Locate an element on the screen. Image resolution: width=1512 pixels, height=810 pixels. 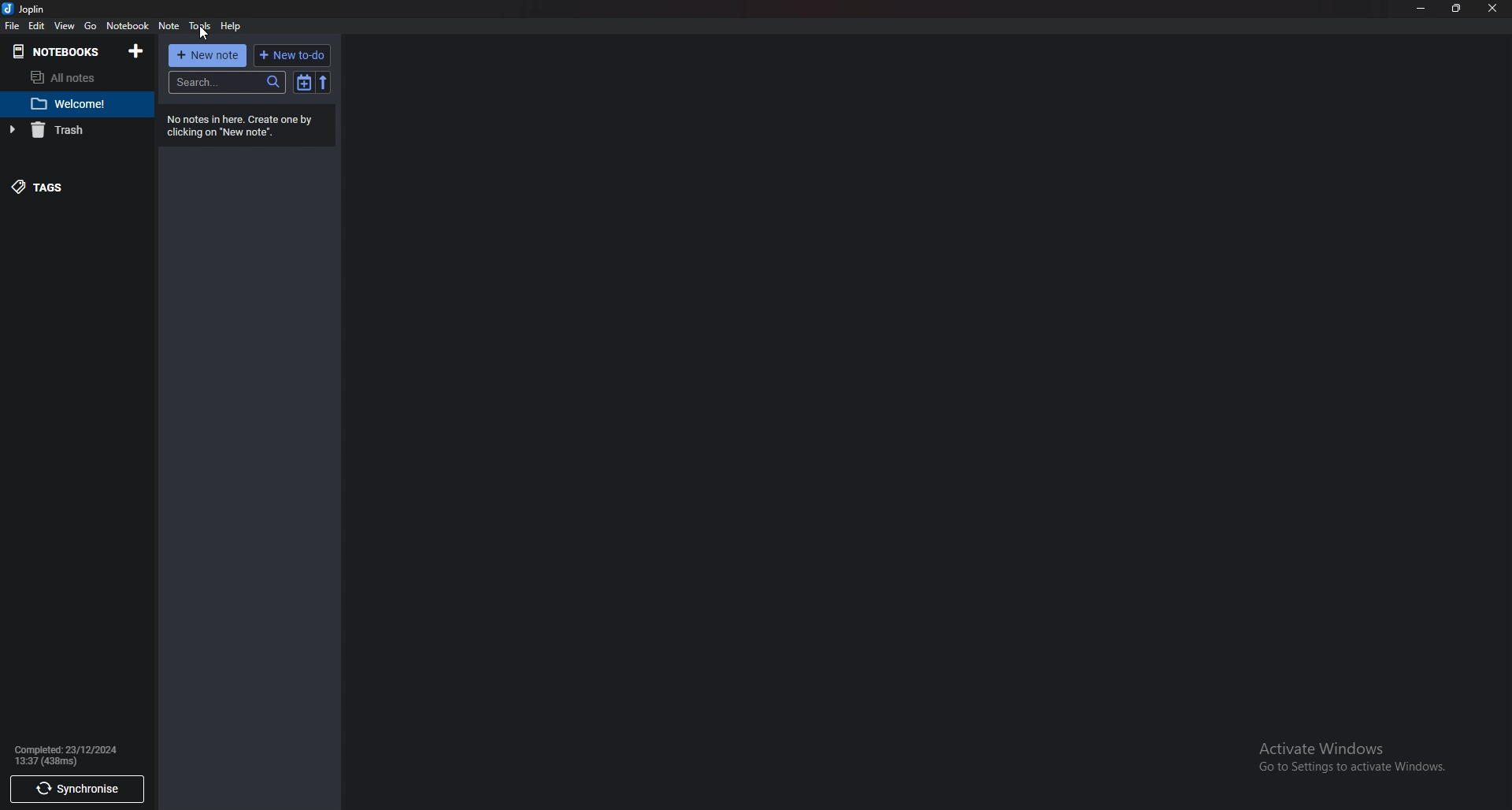
Add notebooks is located at coordinates (138, 51).